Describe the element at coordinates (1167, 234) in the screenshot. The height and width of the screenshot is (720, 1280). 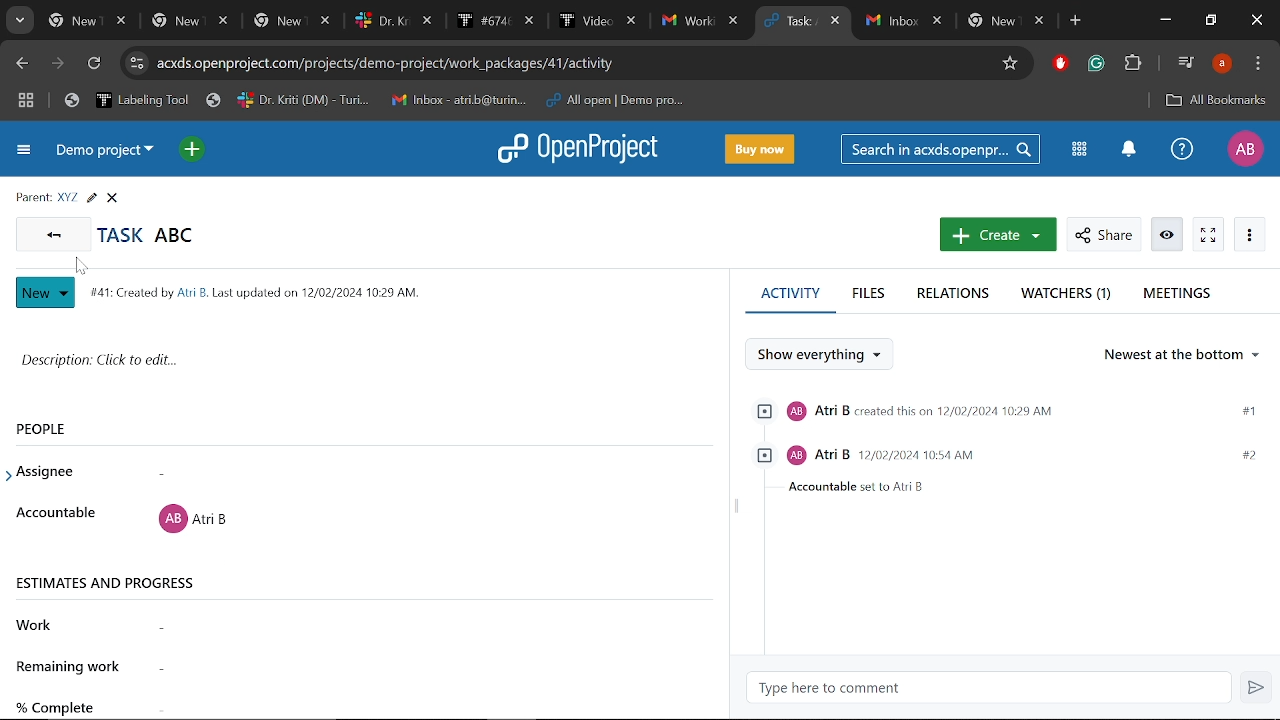
I see `Watch/unwatch` at that location.